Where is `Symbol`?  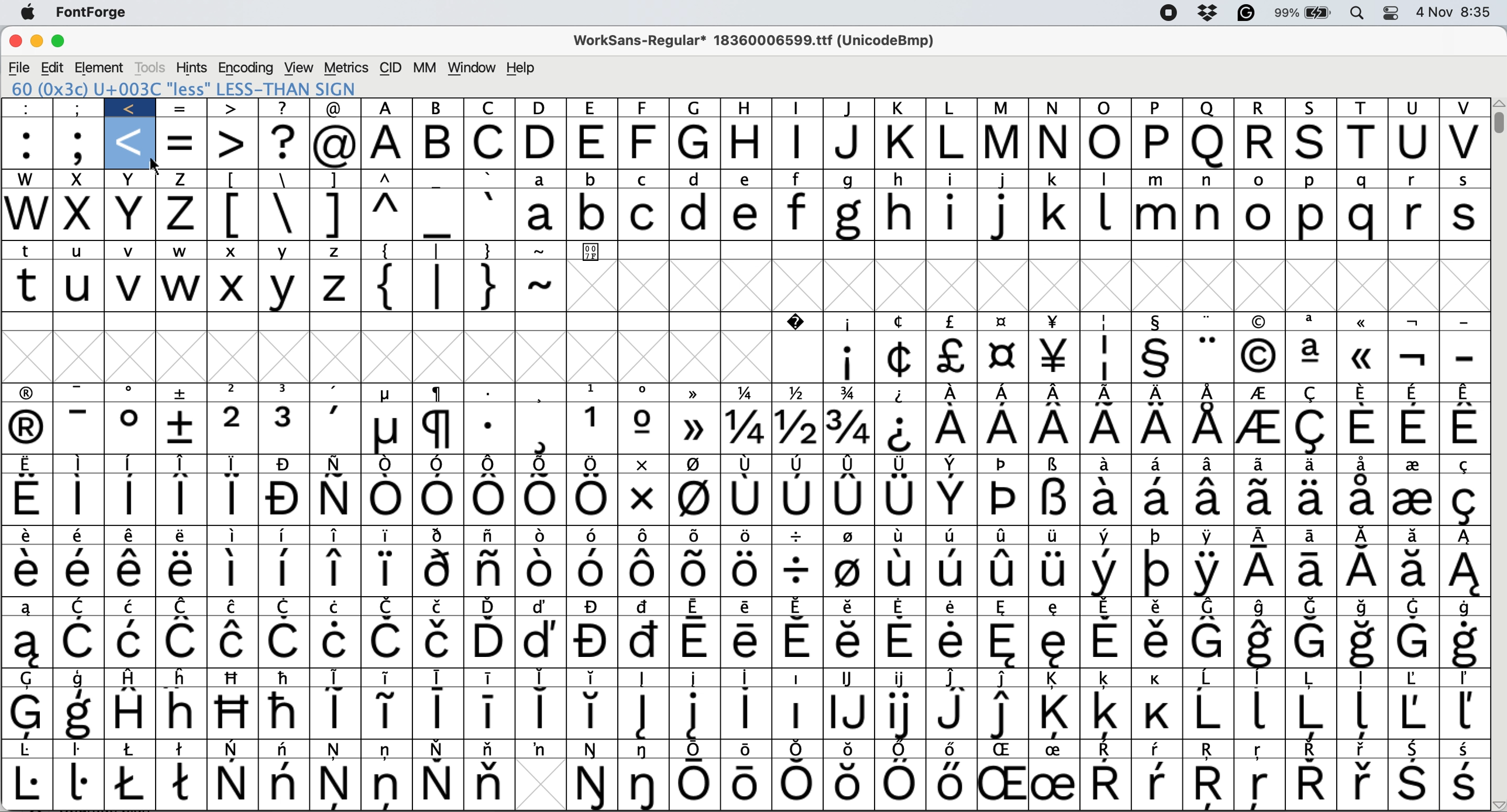
Symbol is located at coordinates (1361, 465).